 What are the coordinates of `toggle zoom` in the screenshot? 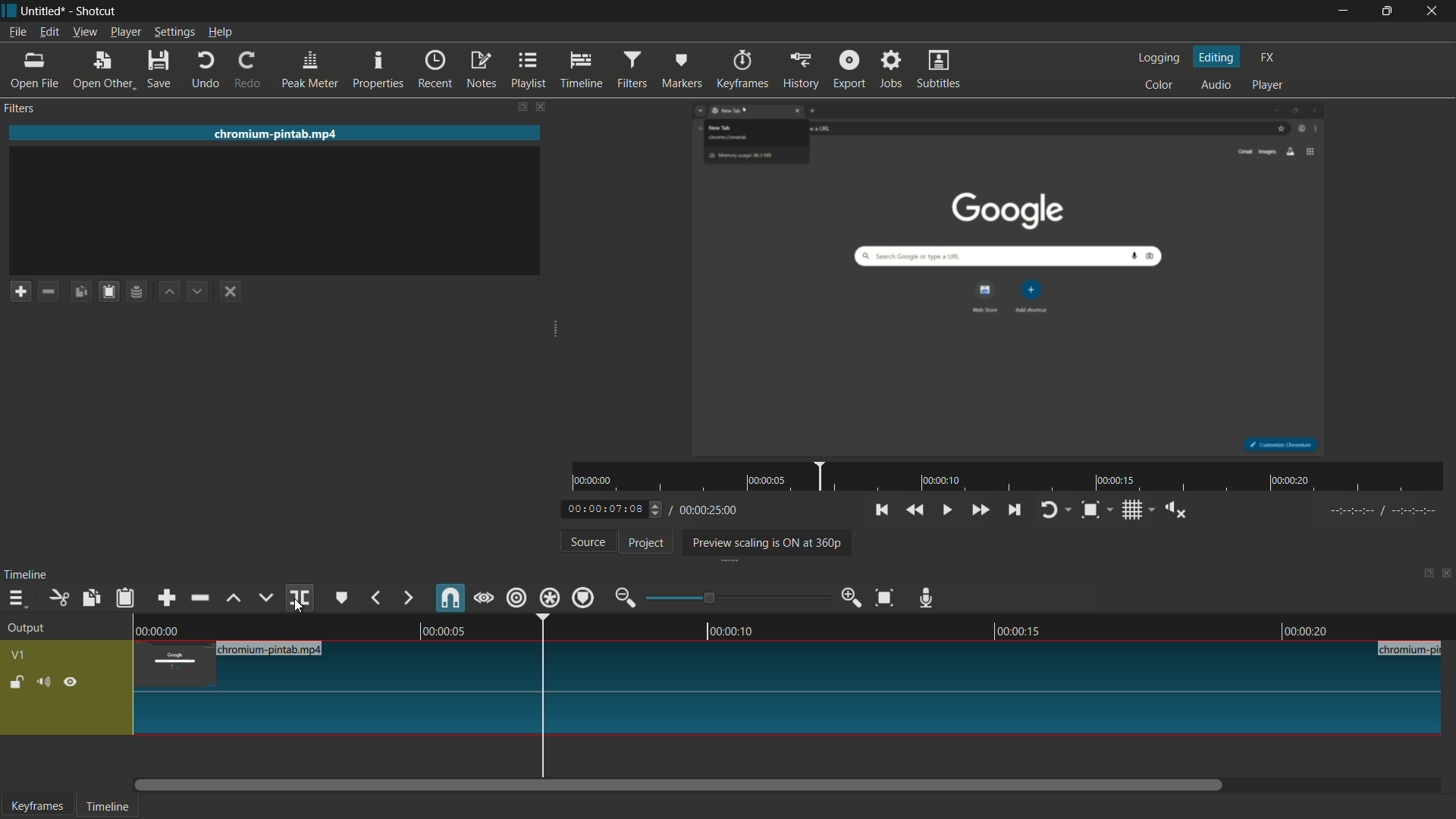 It's located at (1090, 511).